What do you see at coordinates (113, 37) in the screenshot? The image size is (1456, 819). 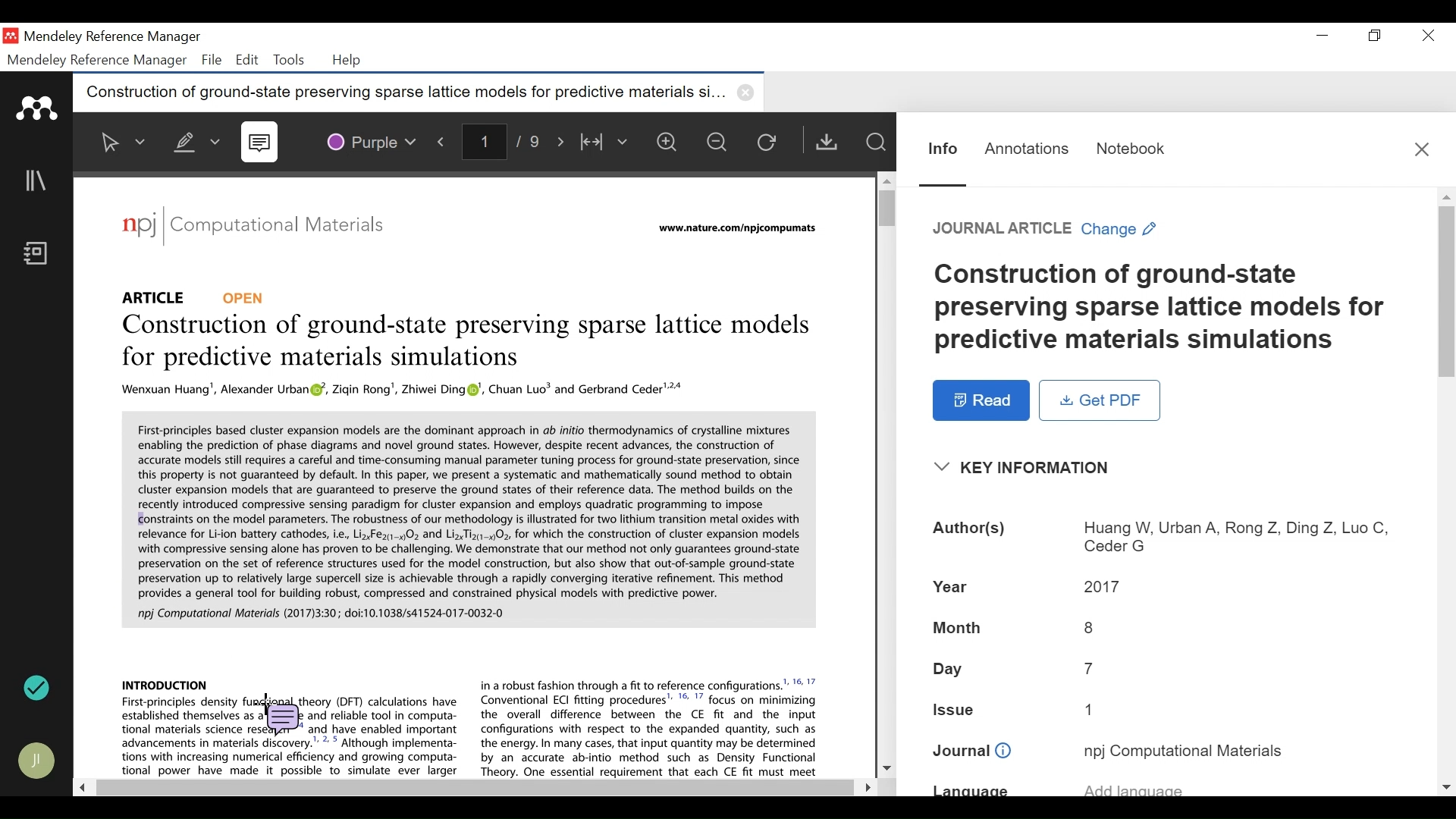 I see `Mendeley Reference Manager` at bounding box center [113, 37].